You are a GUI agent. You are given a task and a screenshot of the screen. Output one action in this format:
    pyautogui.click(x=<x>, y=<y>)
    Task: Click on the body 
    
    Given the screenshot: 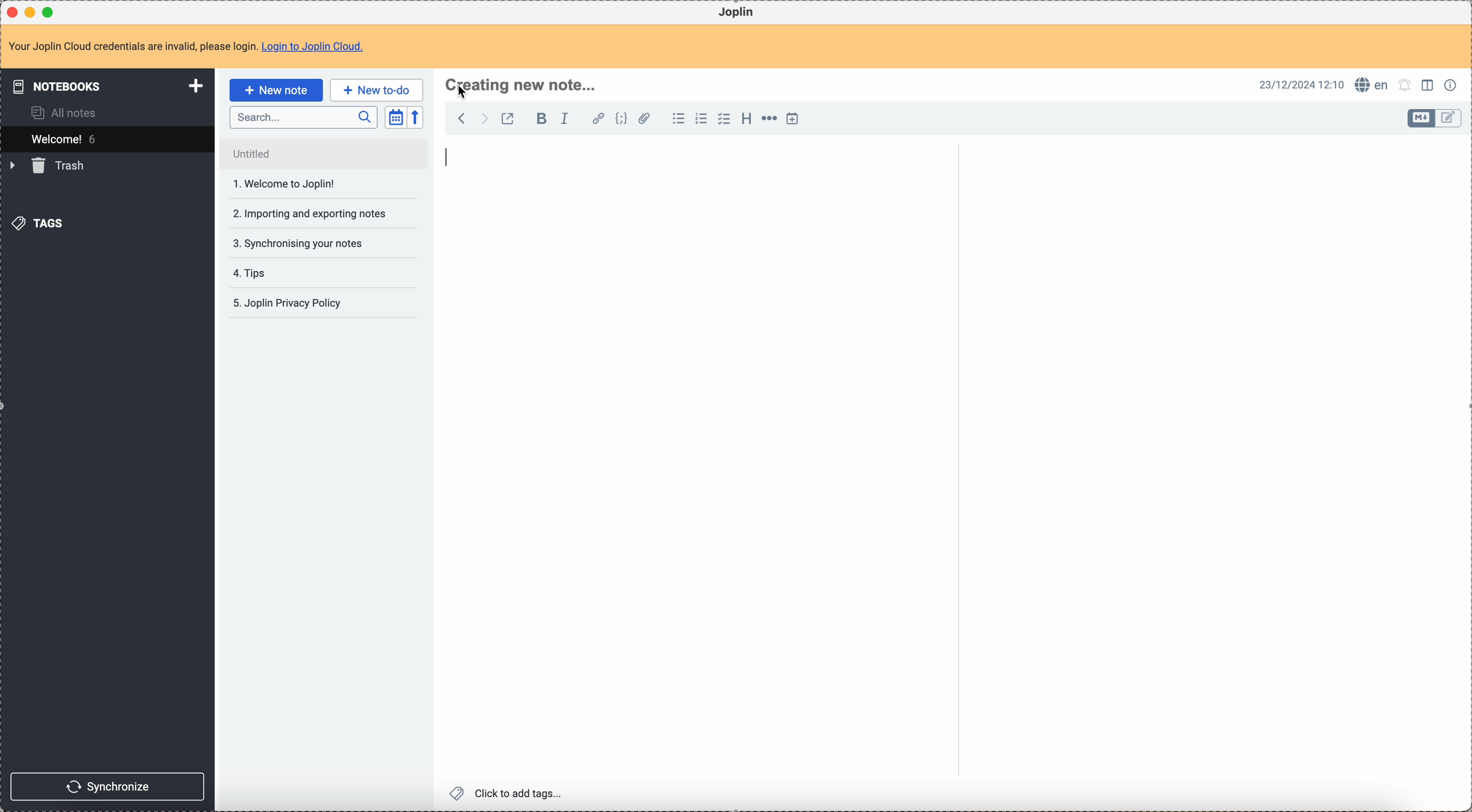 What is the action you would take?
    pyautogui.click(x=694, y=461)
    